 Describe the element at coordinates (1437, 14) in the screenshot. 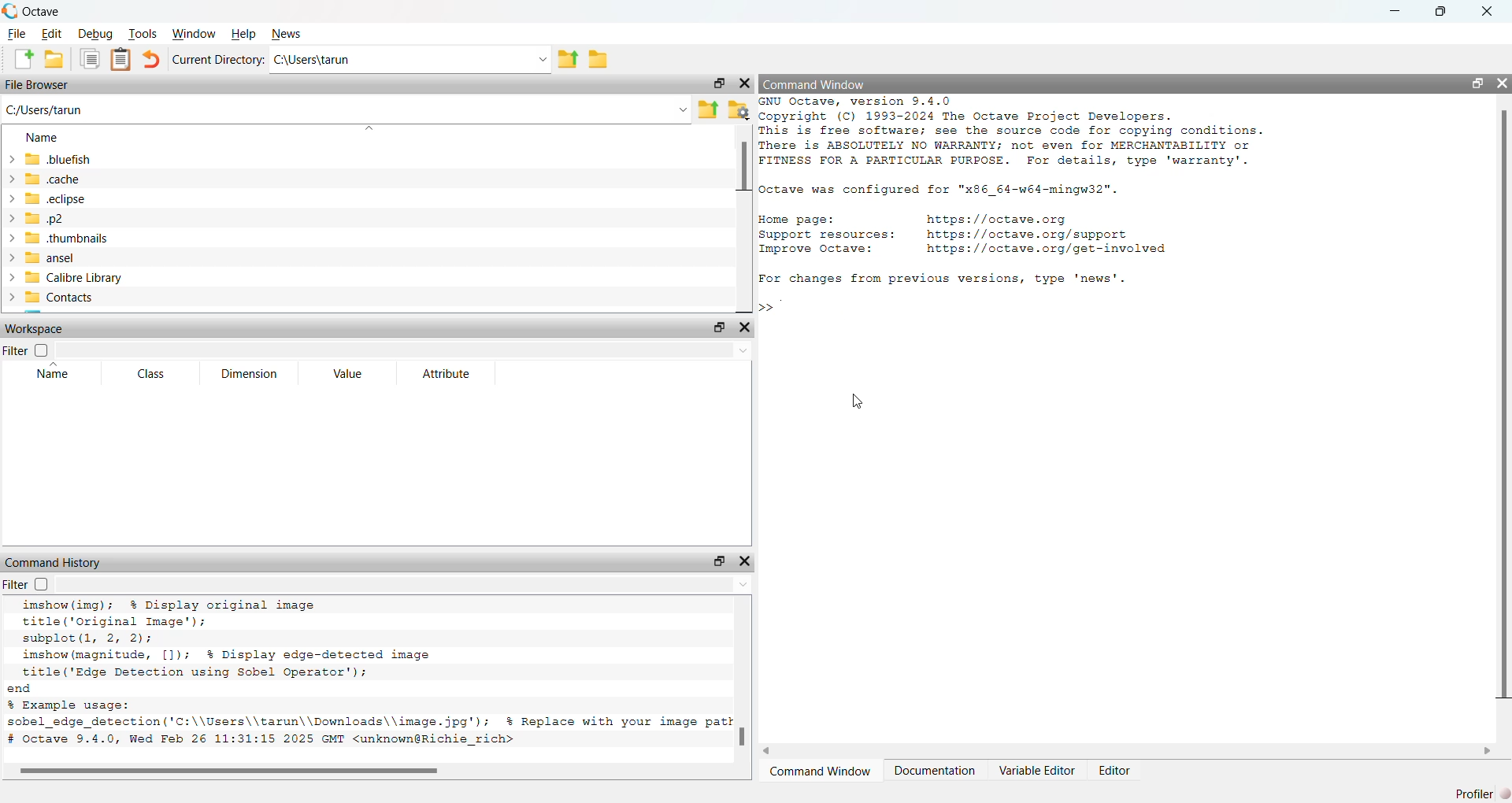

I see `restore down` at that location.